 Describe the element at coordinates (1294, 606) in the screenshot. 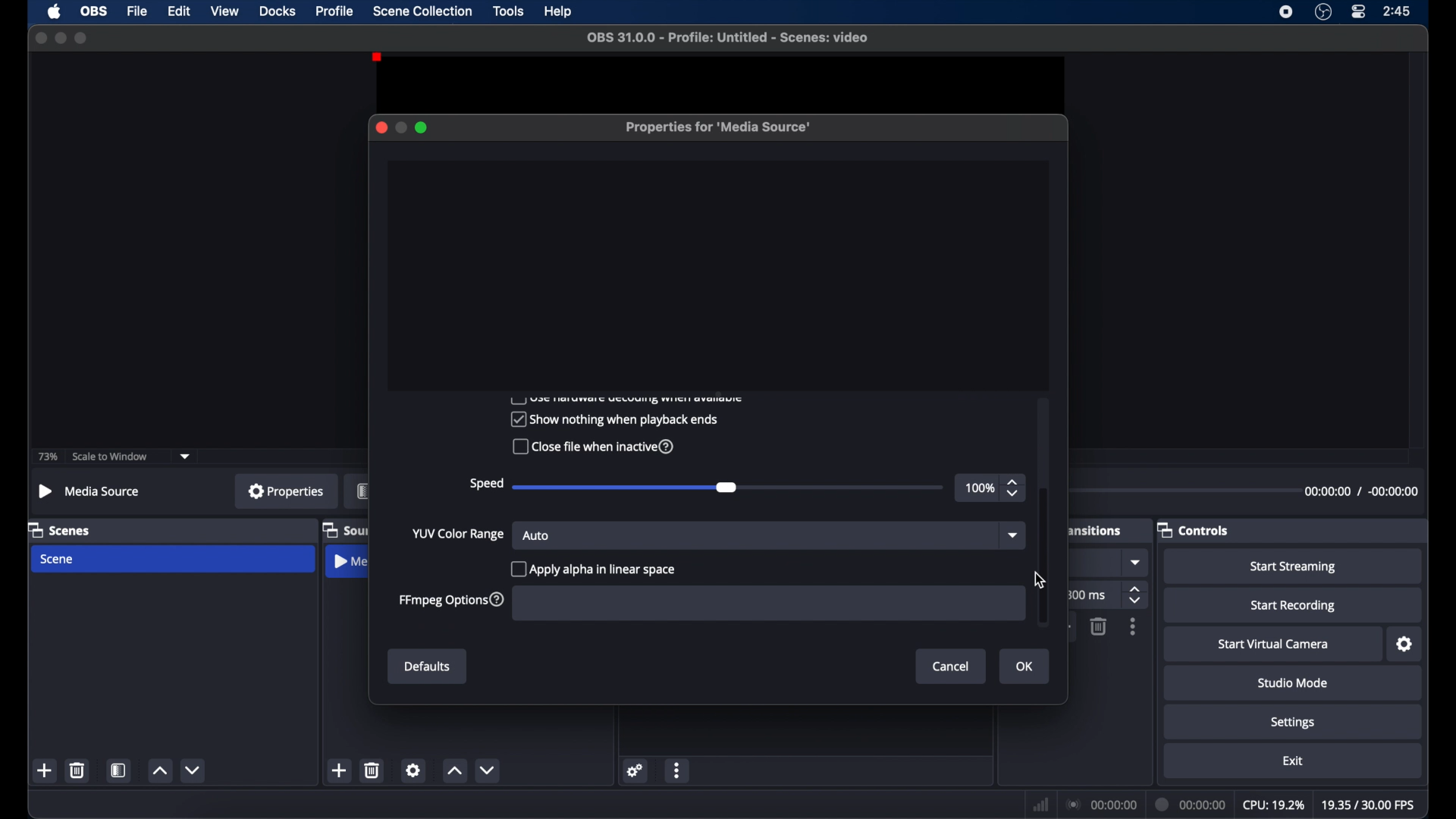

I see `start recording` at that location.